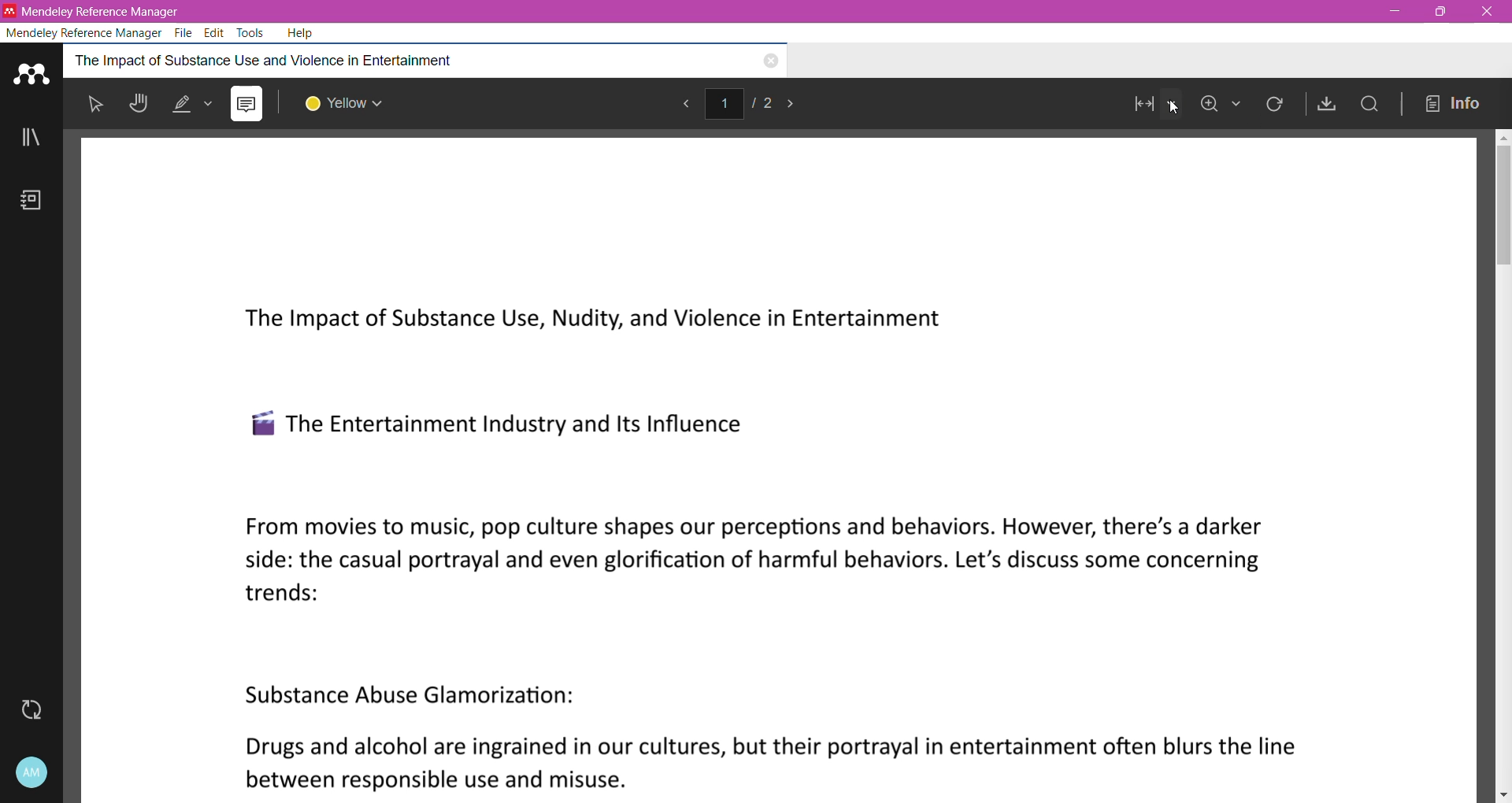 This screenshot has width=1512, height=803. Describe the element at coordinates (800, 105) in the screenshot. I see `Go to next page` at that location.